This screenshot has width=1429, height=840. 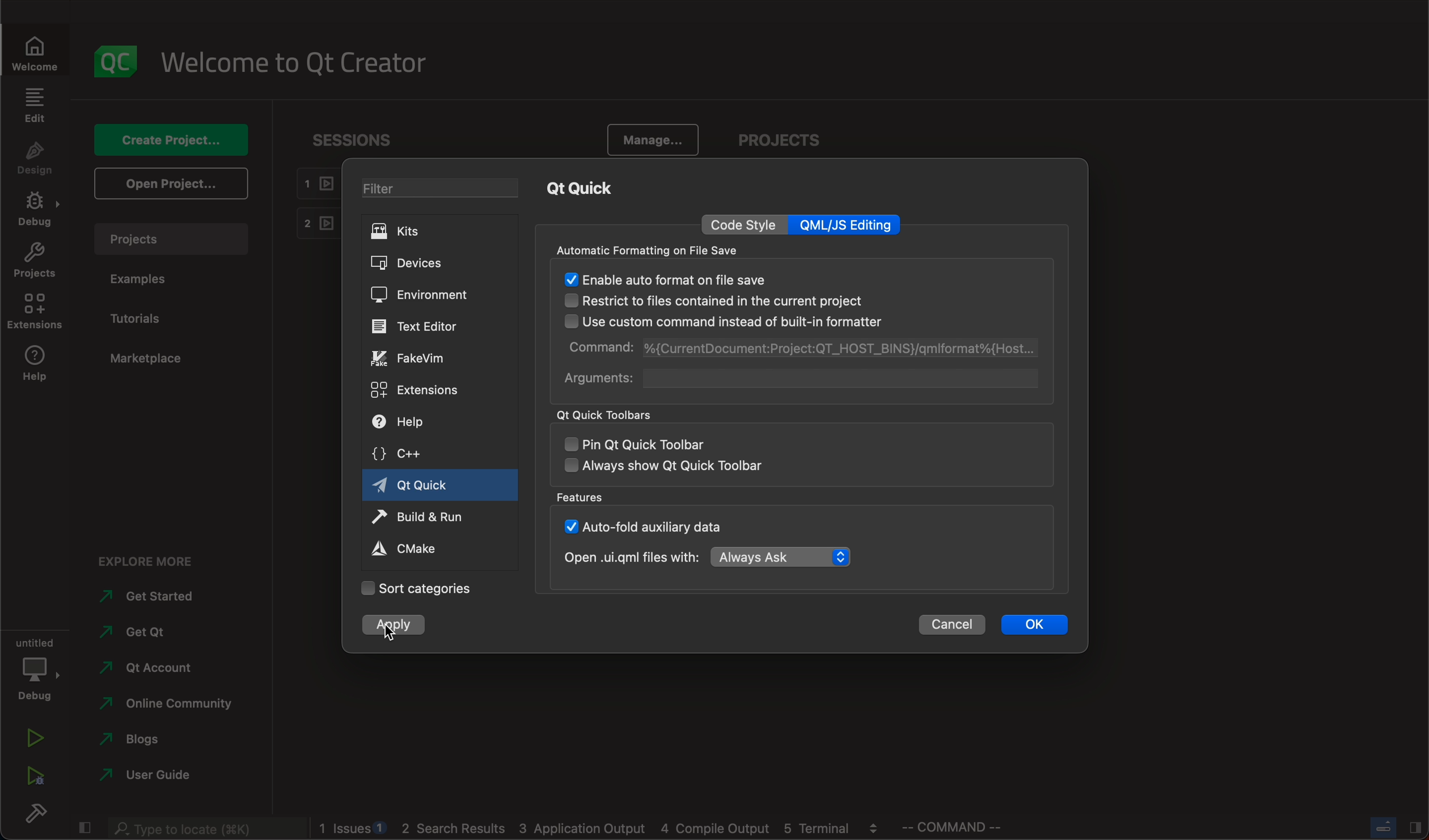 What do you see at coordinates (666, 466) in the screenshot?
I see `always show` at bounding box center [666, 466].